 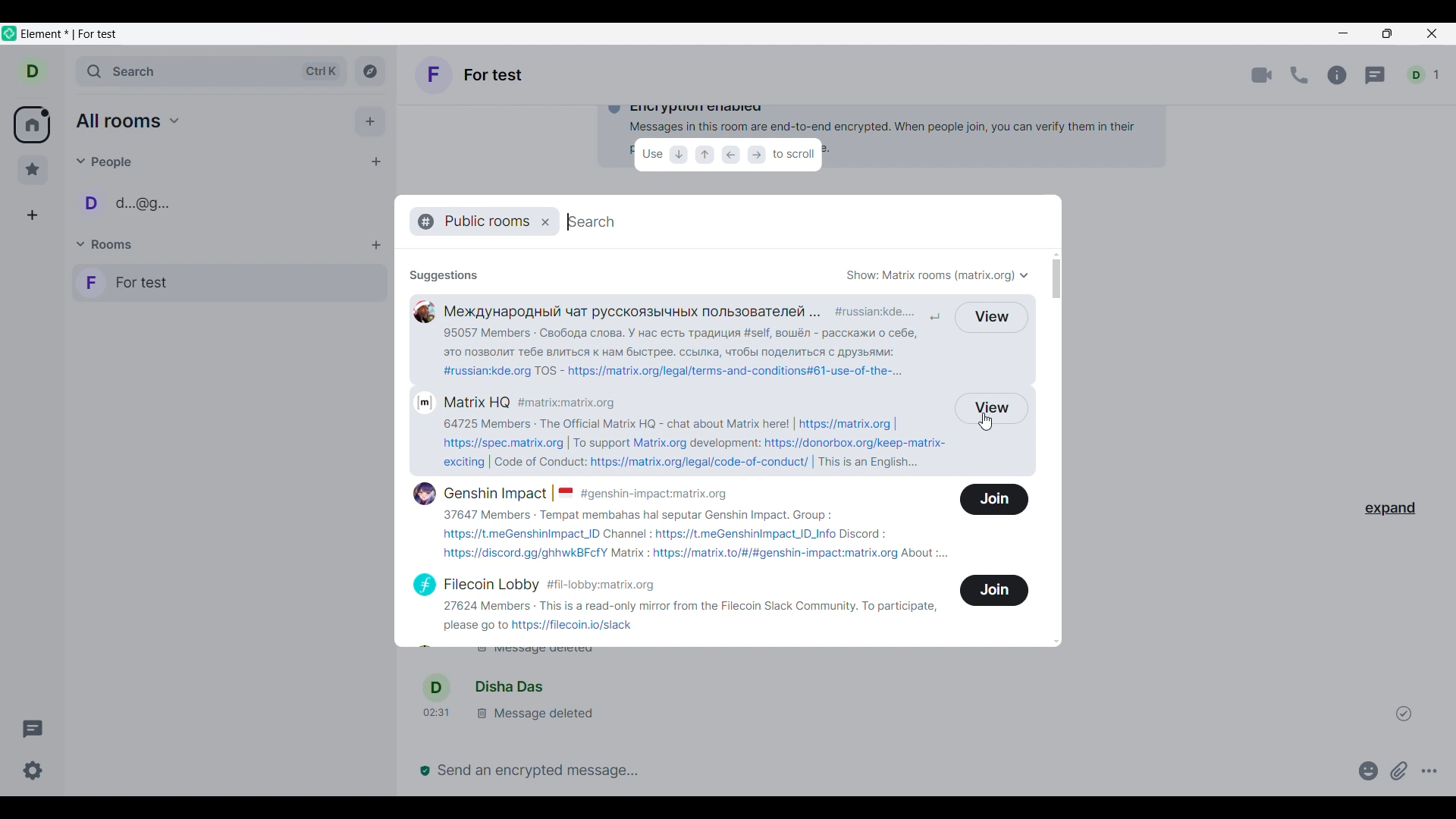 I want to click on Emoji, so click(x=1369, y=770).